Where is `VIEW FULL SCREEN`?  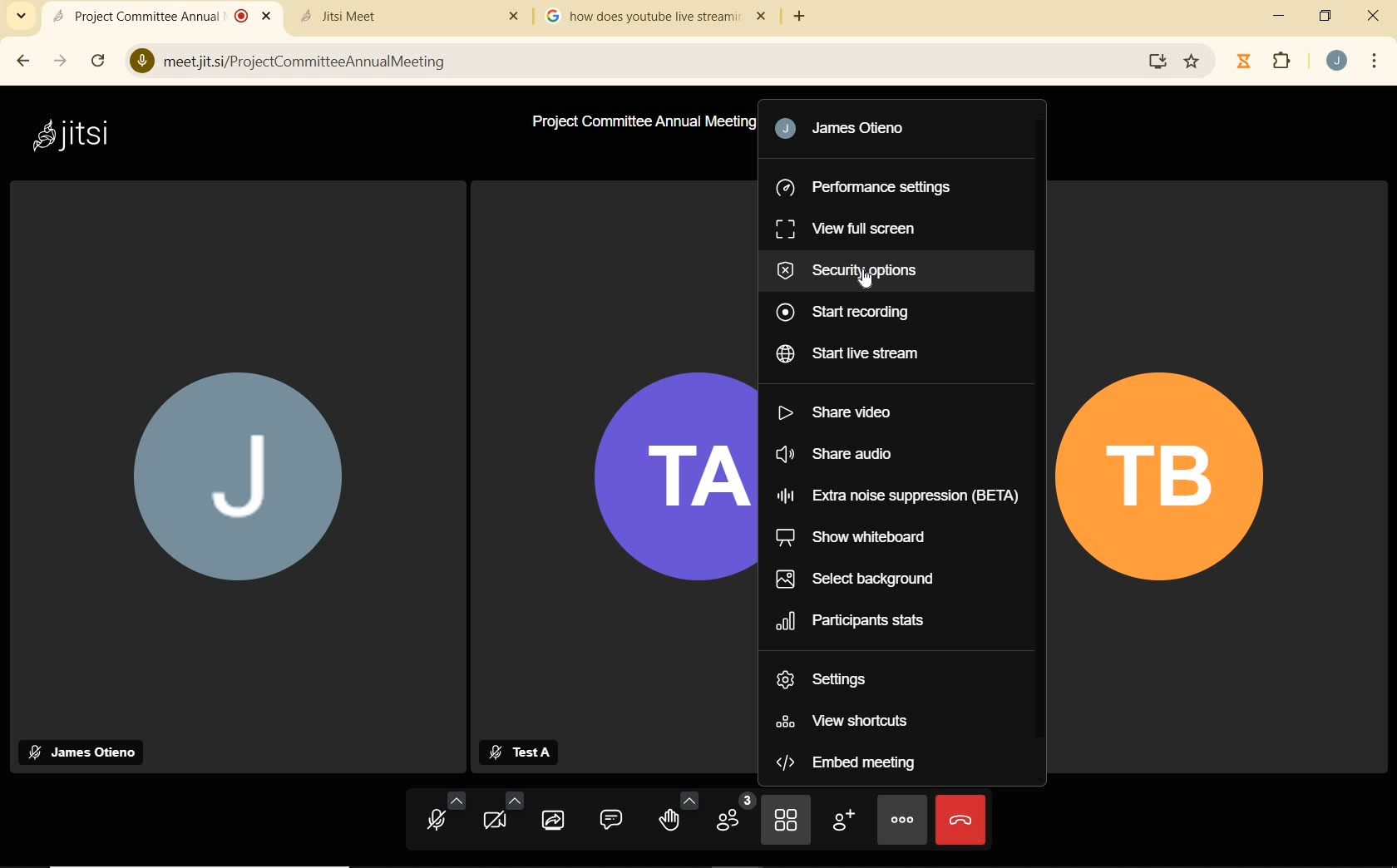 VIEW FULL SCREEN is located at coordinates (850, 228).